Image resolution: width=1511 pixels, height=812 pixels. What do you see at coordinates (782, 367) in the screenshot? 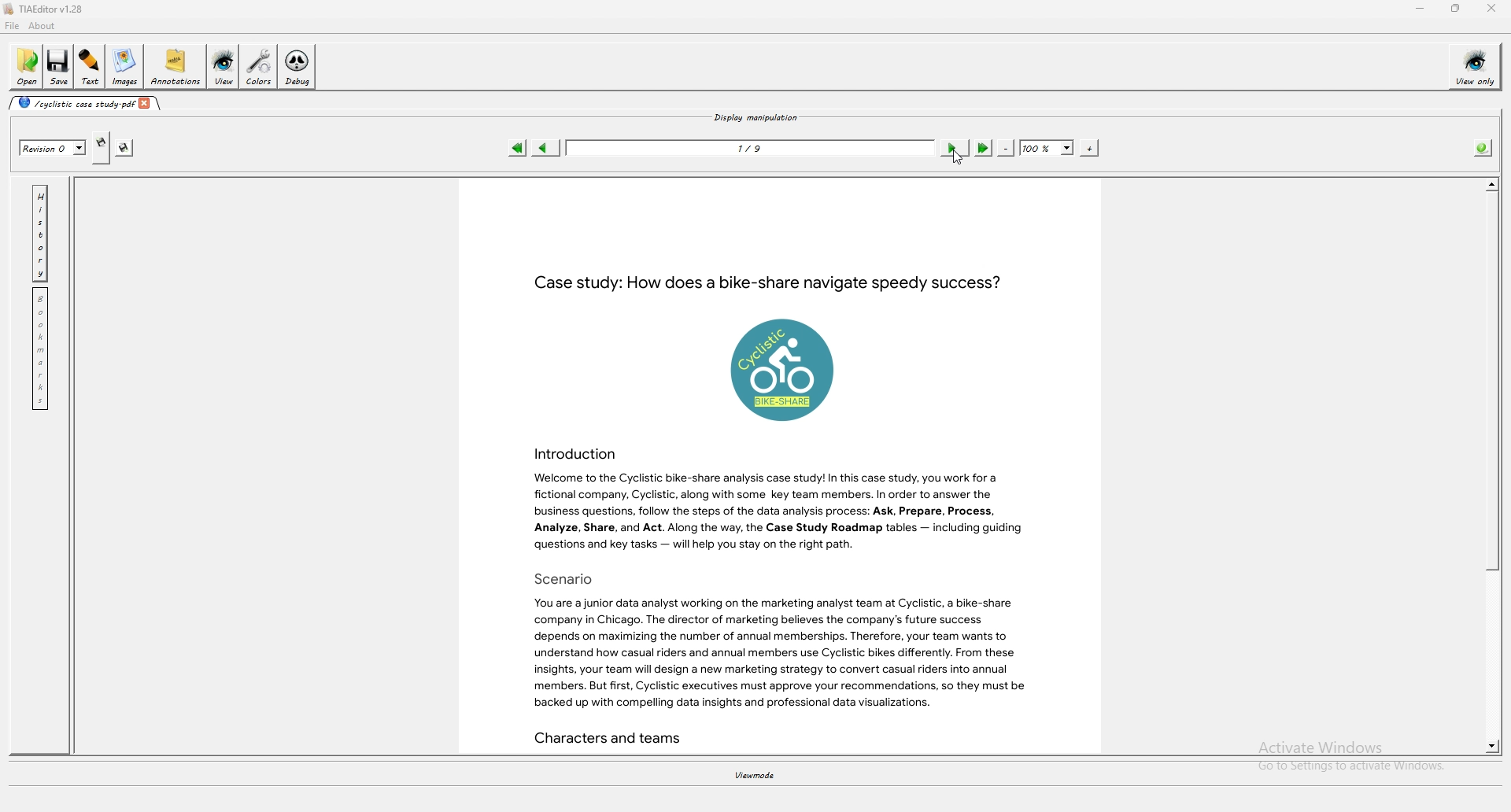
I see `logo` at bounding box center [782, 367].